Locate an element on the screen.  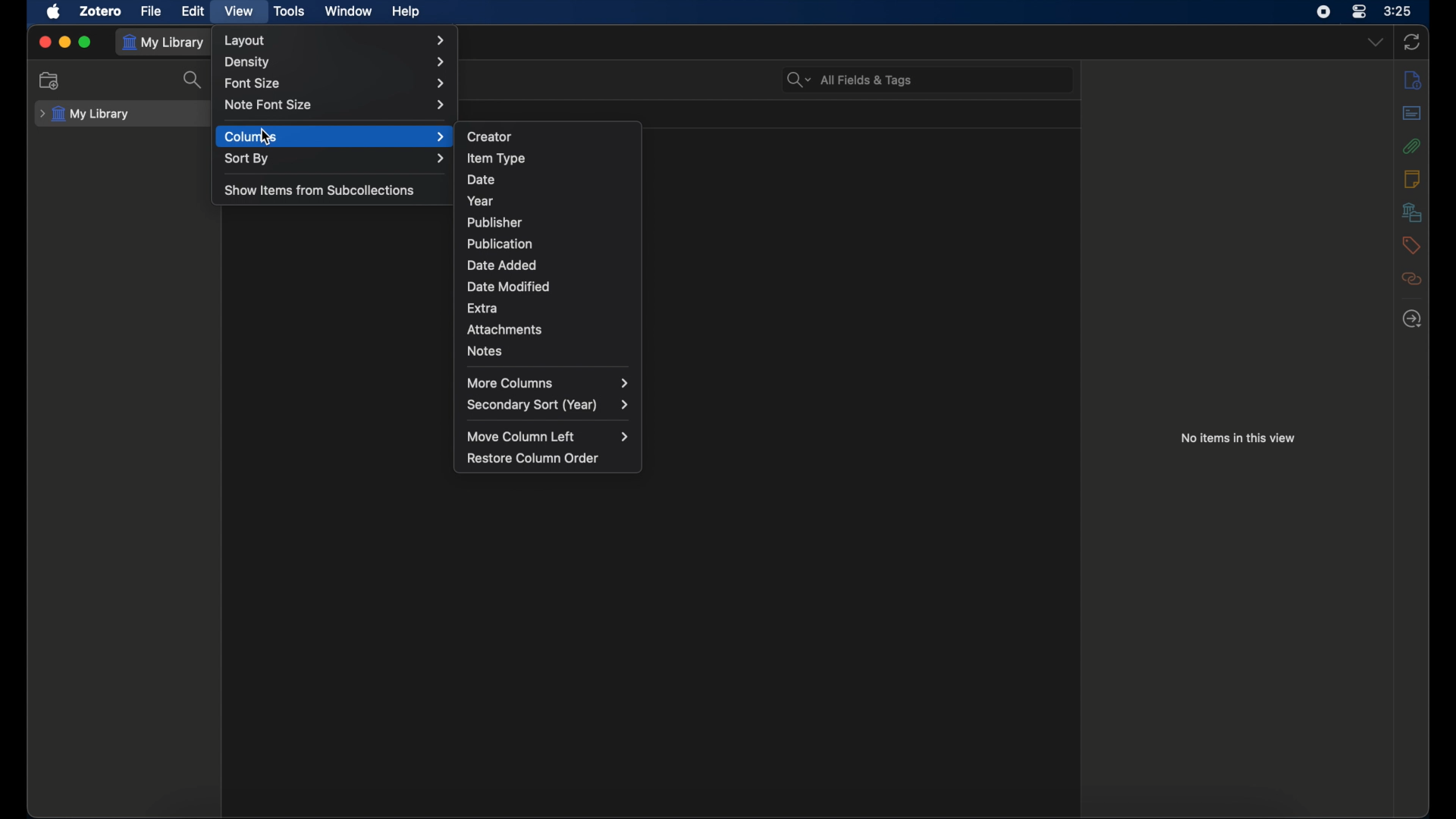
zotero is located at coordinates (101, 11).